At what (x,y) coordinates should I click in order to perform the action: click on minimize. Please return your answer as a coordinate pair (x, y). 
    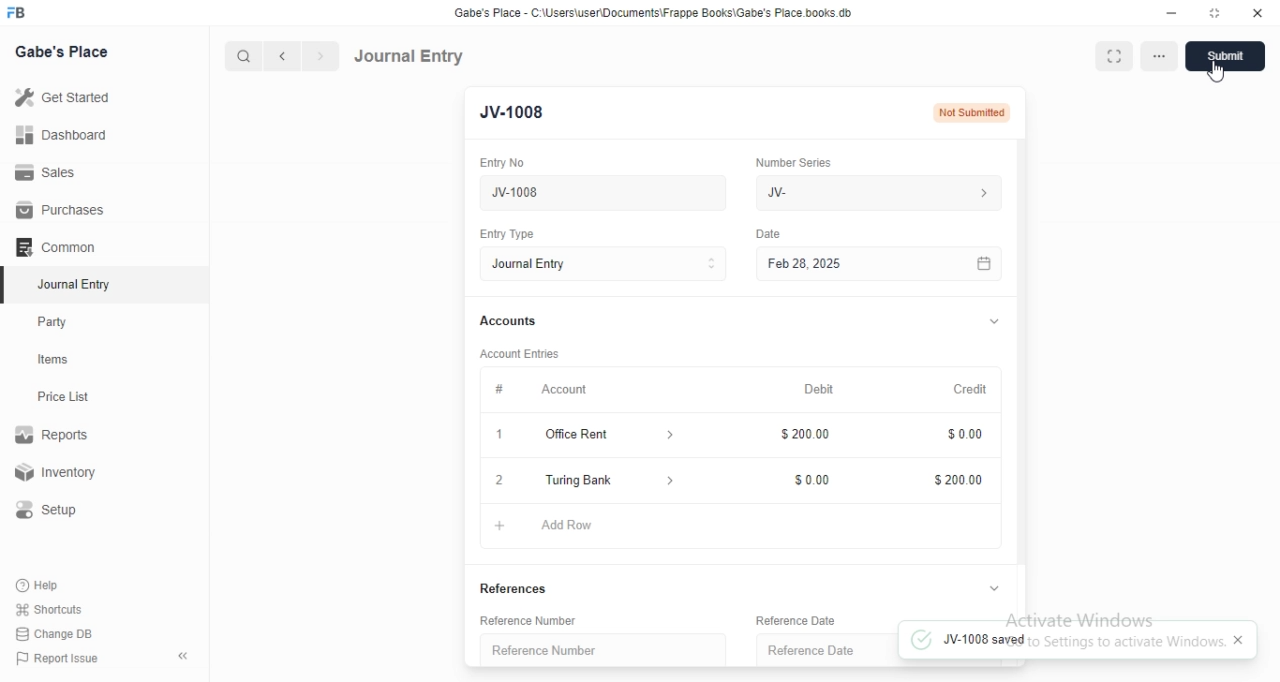
    Looking at the image, I should click on (1170, 12).